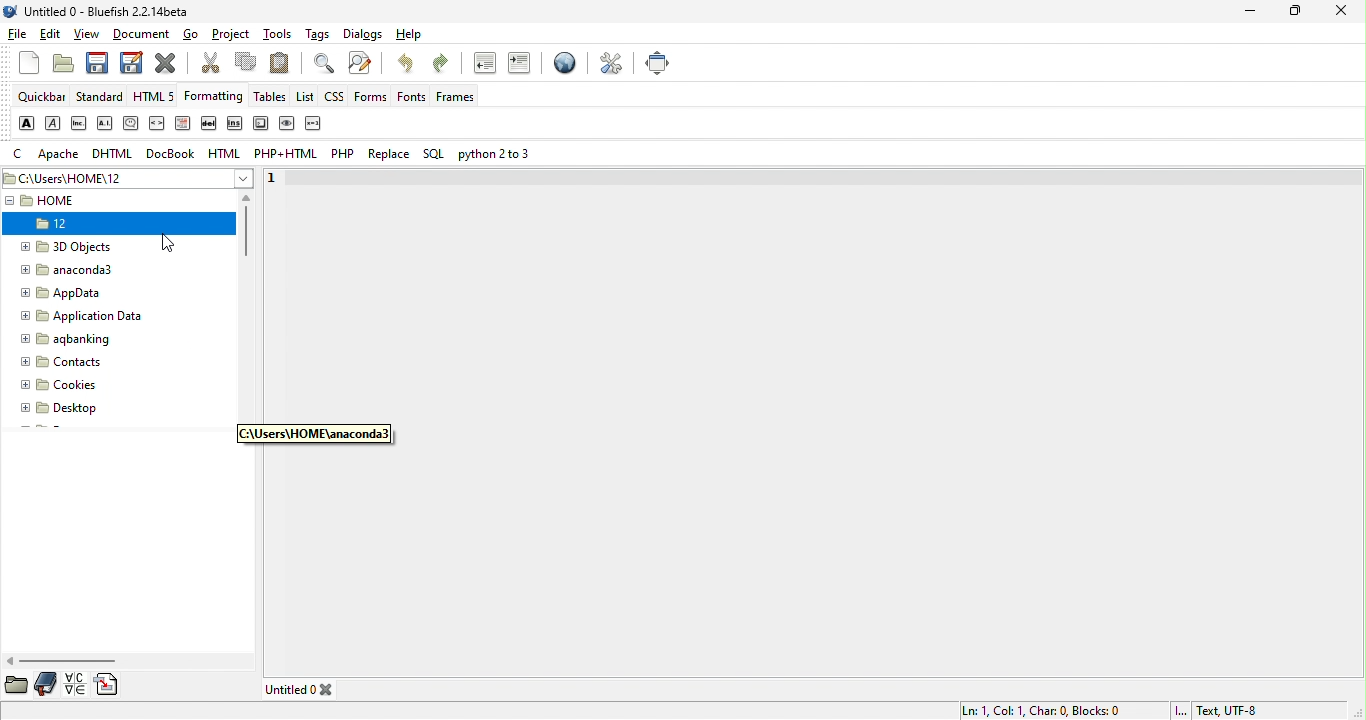 The width and height of the screenshot is (1366, 720). Describe the element at coordinates (128, 177) in the screenshot. I see `c\users\home\12` at that location.